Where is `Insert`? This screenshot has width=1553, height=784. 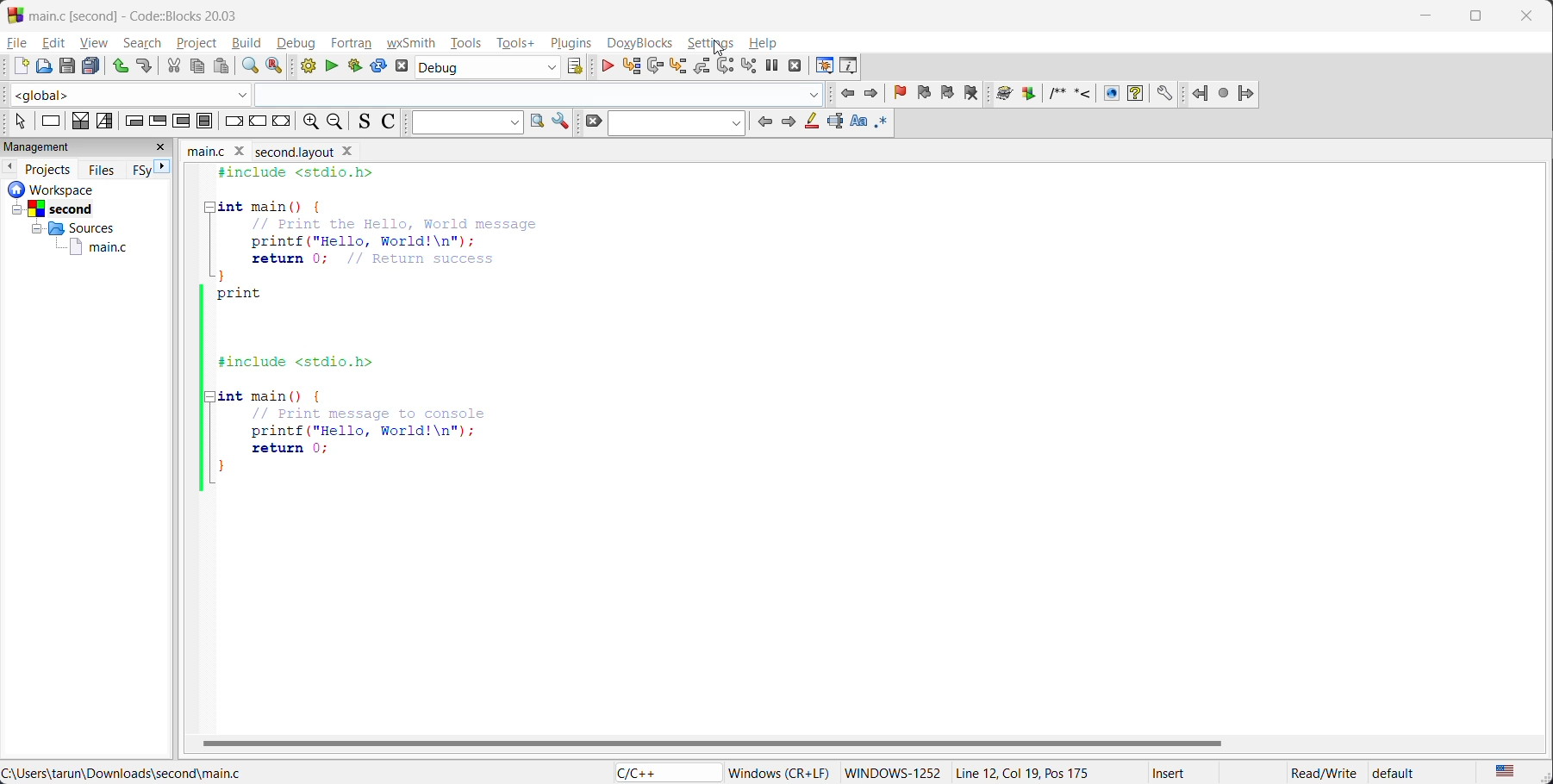 Insert is located at coordinates (1180, 770).